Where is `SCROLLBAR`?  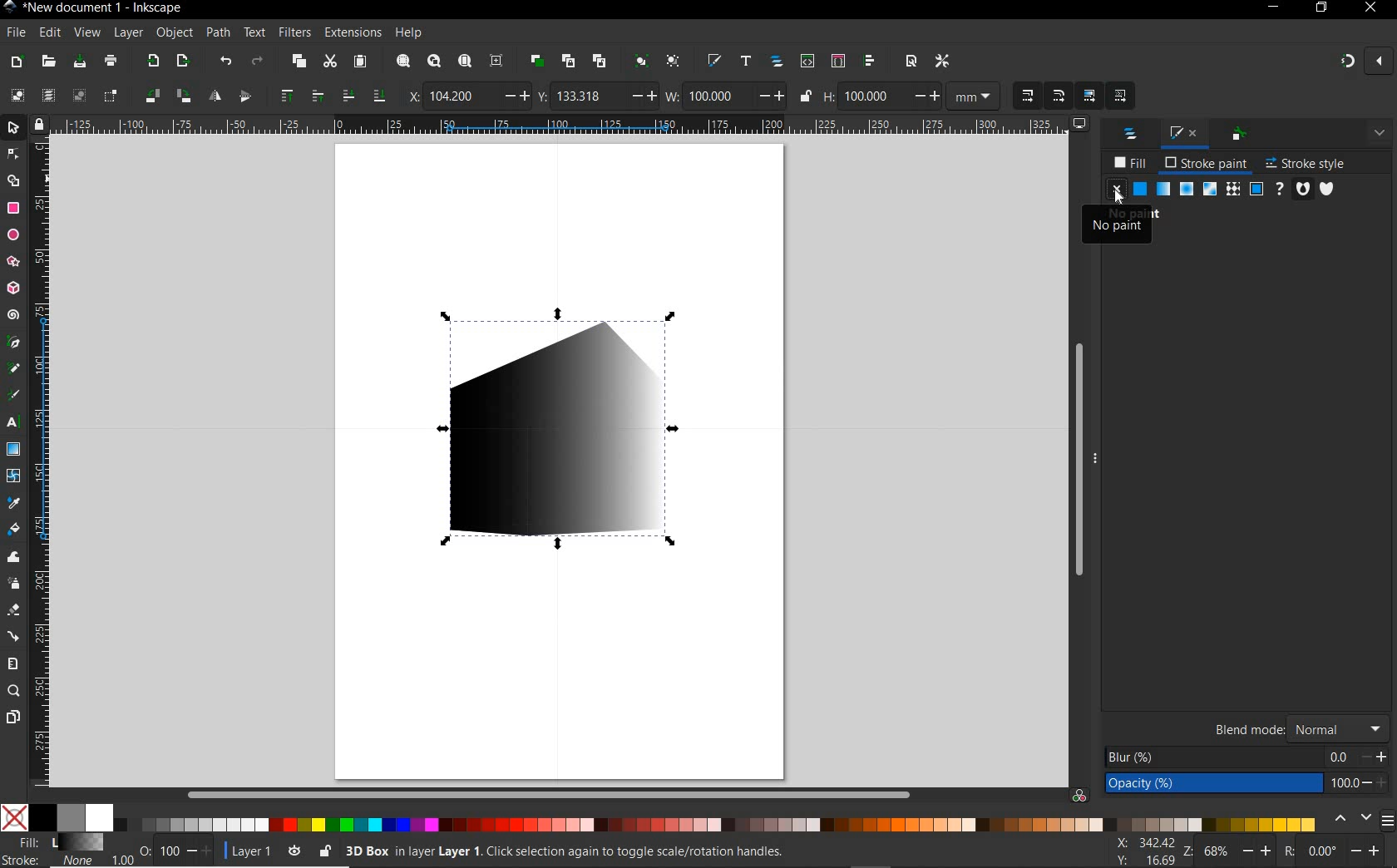 SCROLLBAR is located at coordinates (1075, 461).